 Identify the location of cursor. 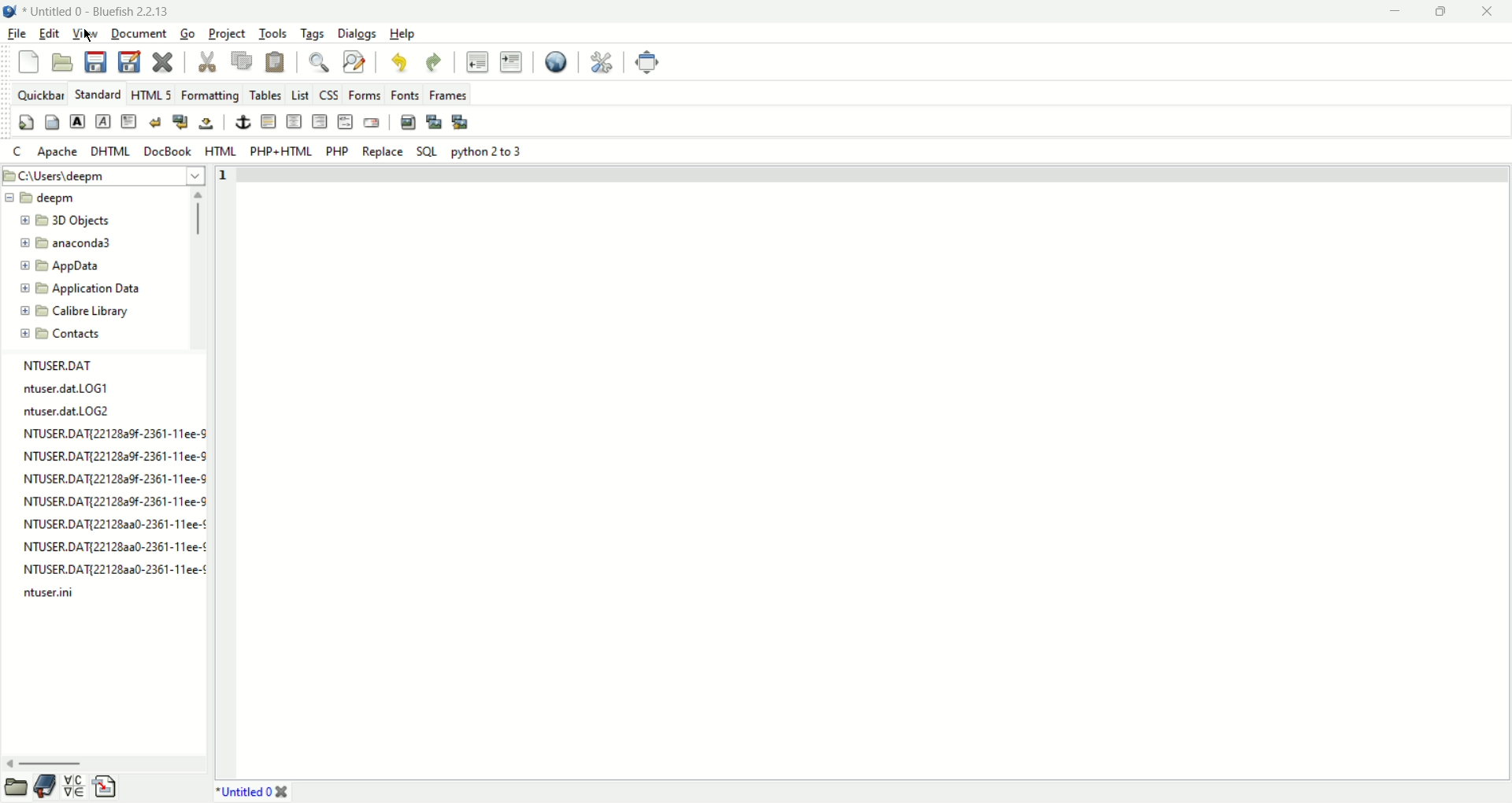
(92, 38).